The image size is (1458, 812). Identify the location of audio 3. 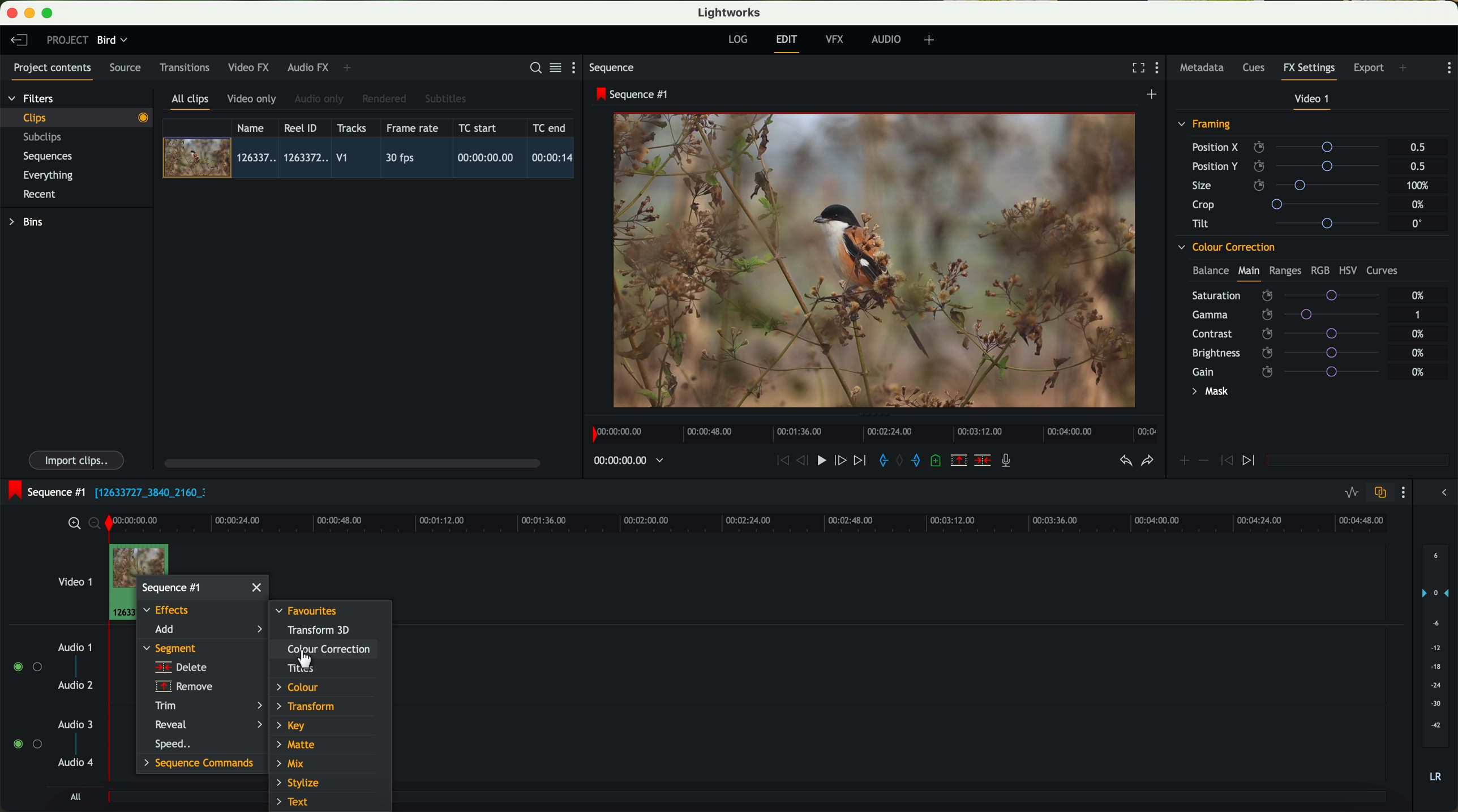
(70, 724).